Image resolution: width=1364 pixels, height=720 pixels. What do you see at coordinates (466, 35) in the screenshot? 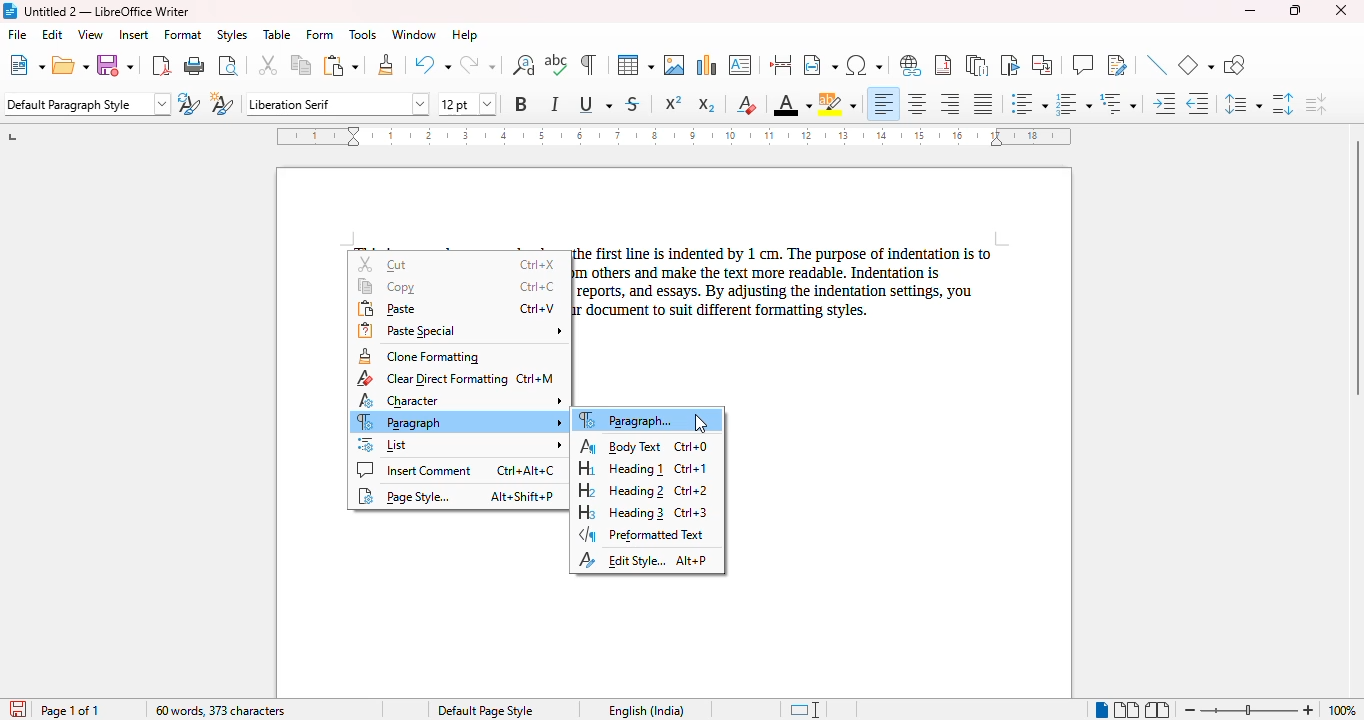
I see `help` at bounding box center [466, 35].